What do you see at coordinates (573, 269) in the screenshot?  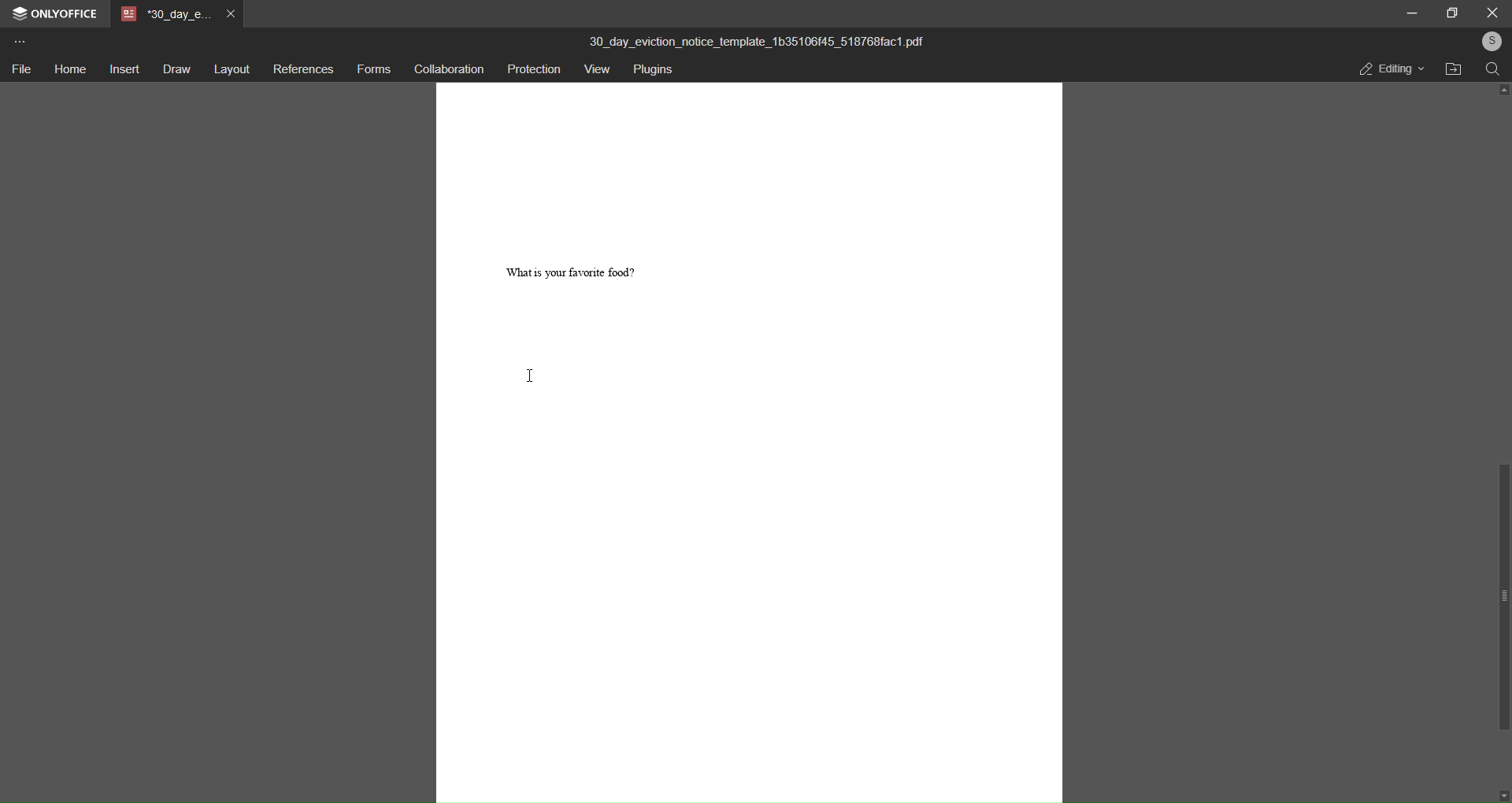 I see `question` at bounding box center [573, 269].